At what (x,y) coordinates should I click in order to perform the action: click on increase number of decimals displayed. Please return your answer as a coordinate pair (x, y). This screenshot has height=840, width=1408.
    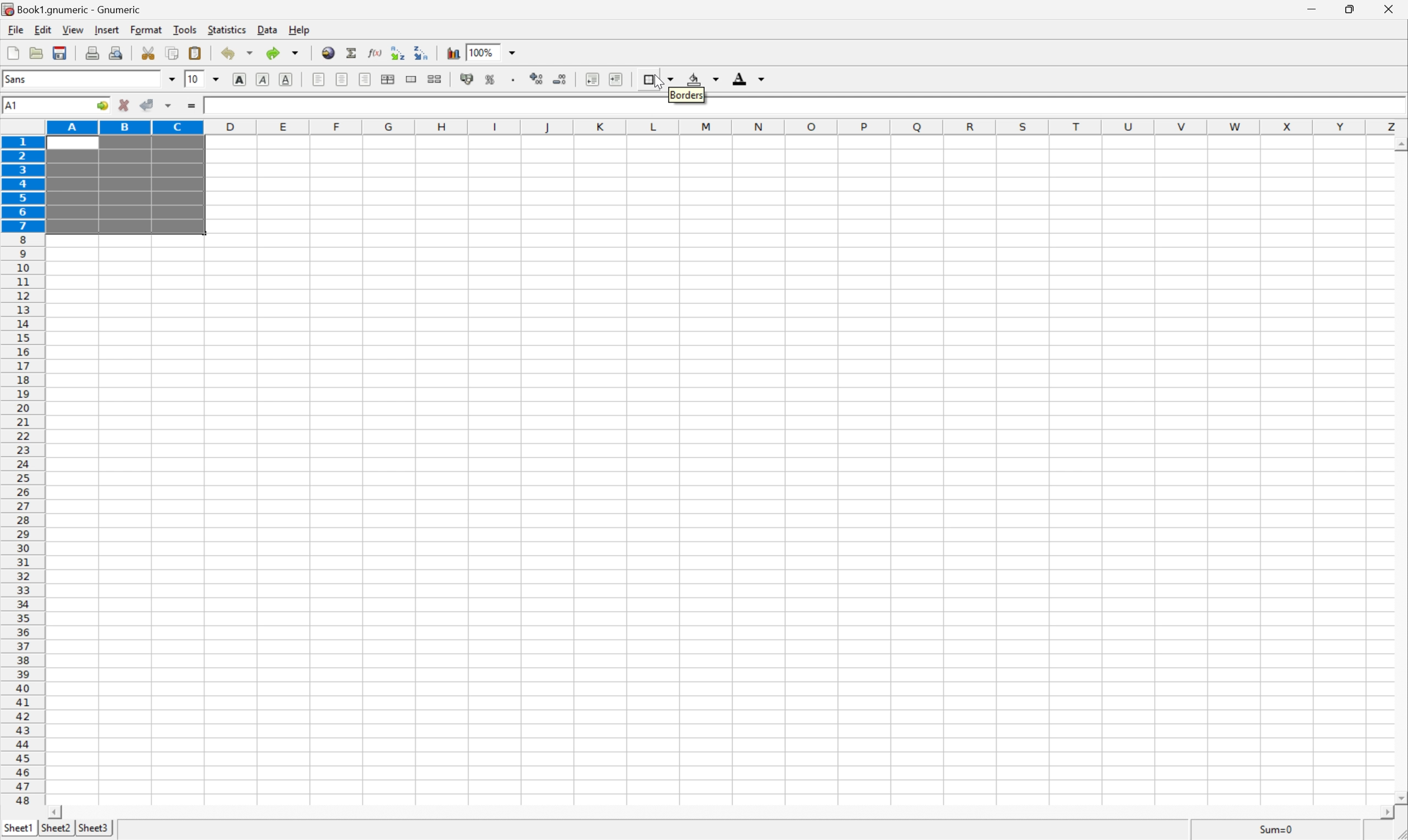
    Looking at the image, I should click on (538, 79).